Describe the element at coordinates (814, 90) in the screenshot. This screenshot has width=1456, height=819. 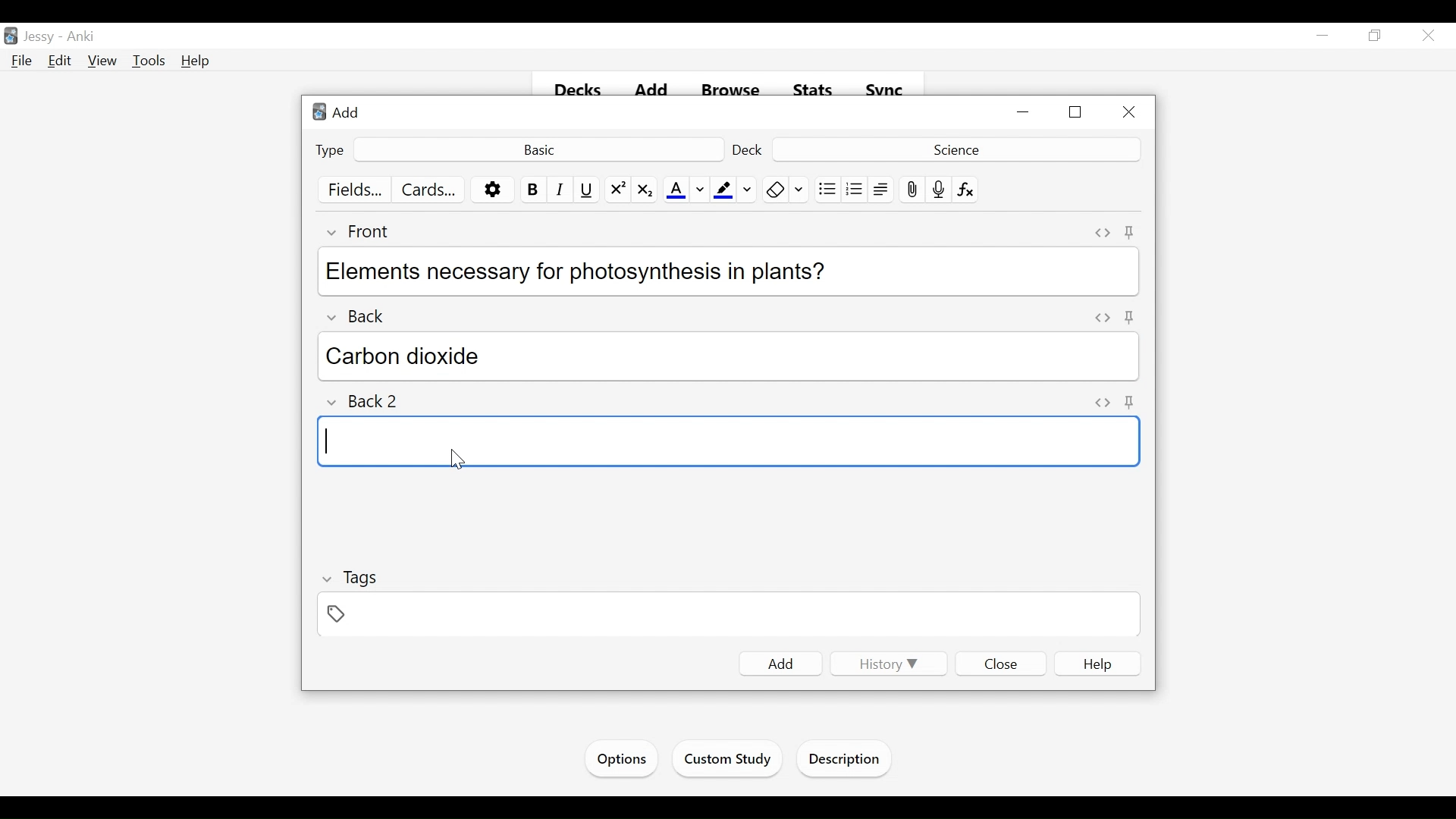
I see `Stats` at that location.